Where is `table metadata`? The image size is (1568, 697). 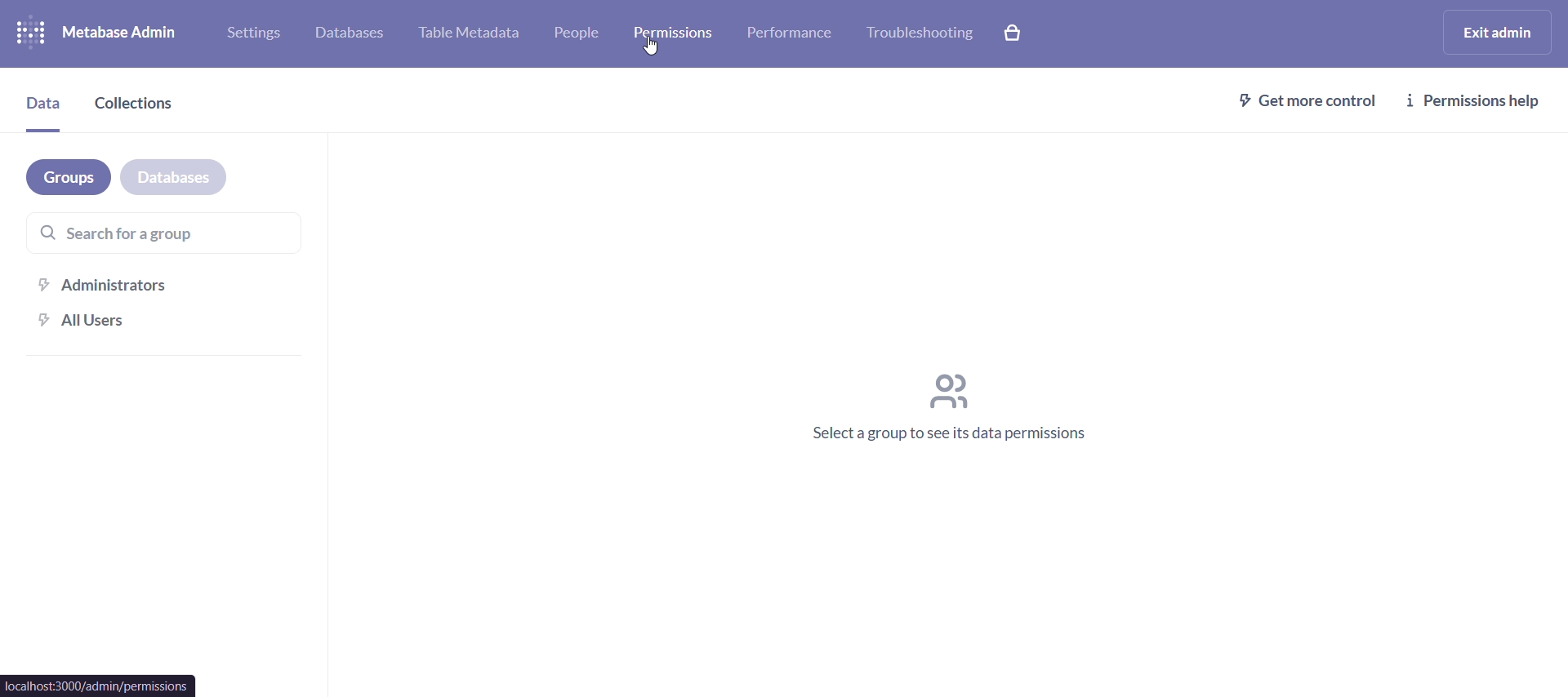
table metadata is located at coordinates (469, 35).